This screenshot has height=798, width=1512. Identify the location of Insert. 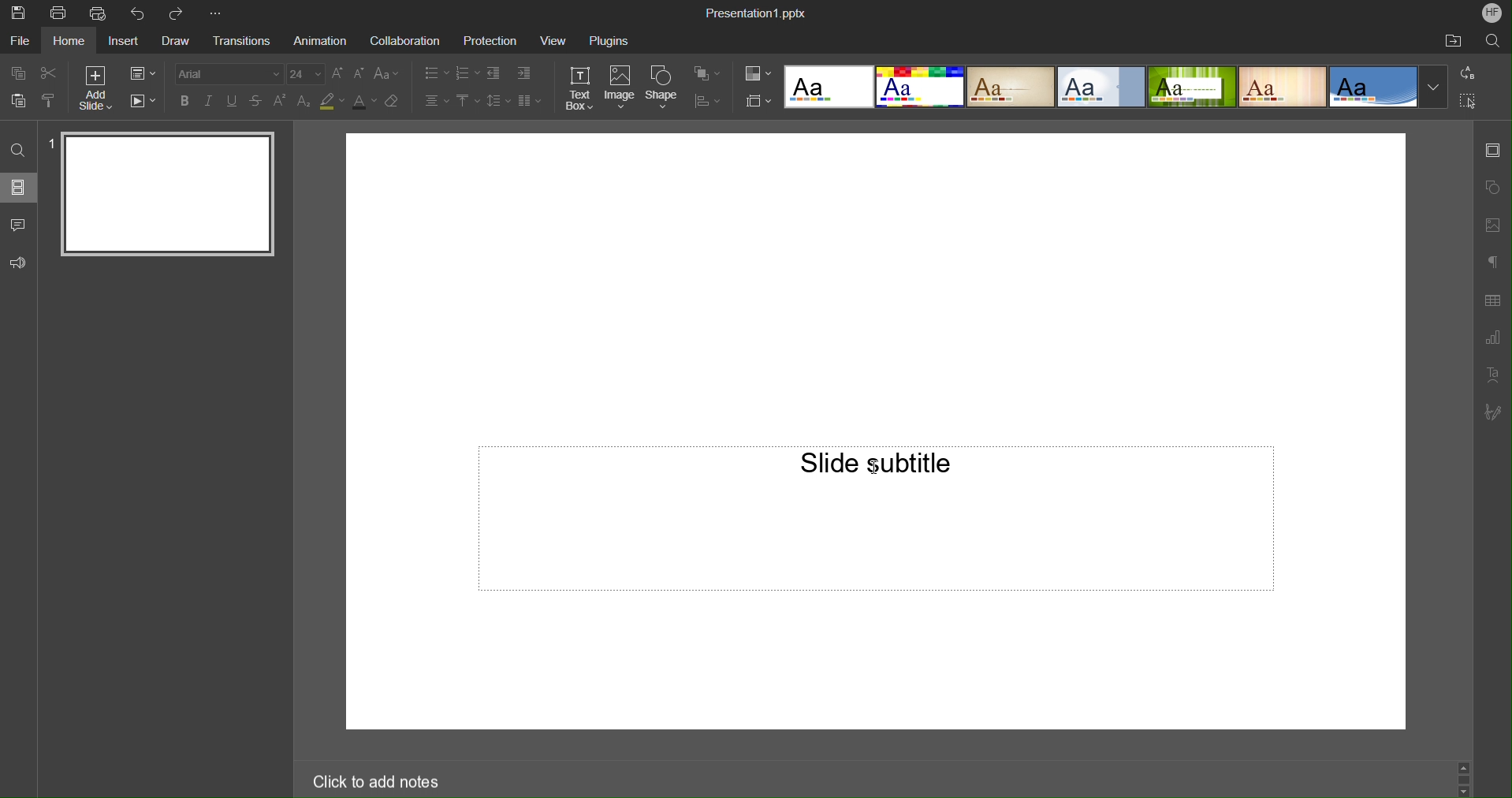
(125, 41).